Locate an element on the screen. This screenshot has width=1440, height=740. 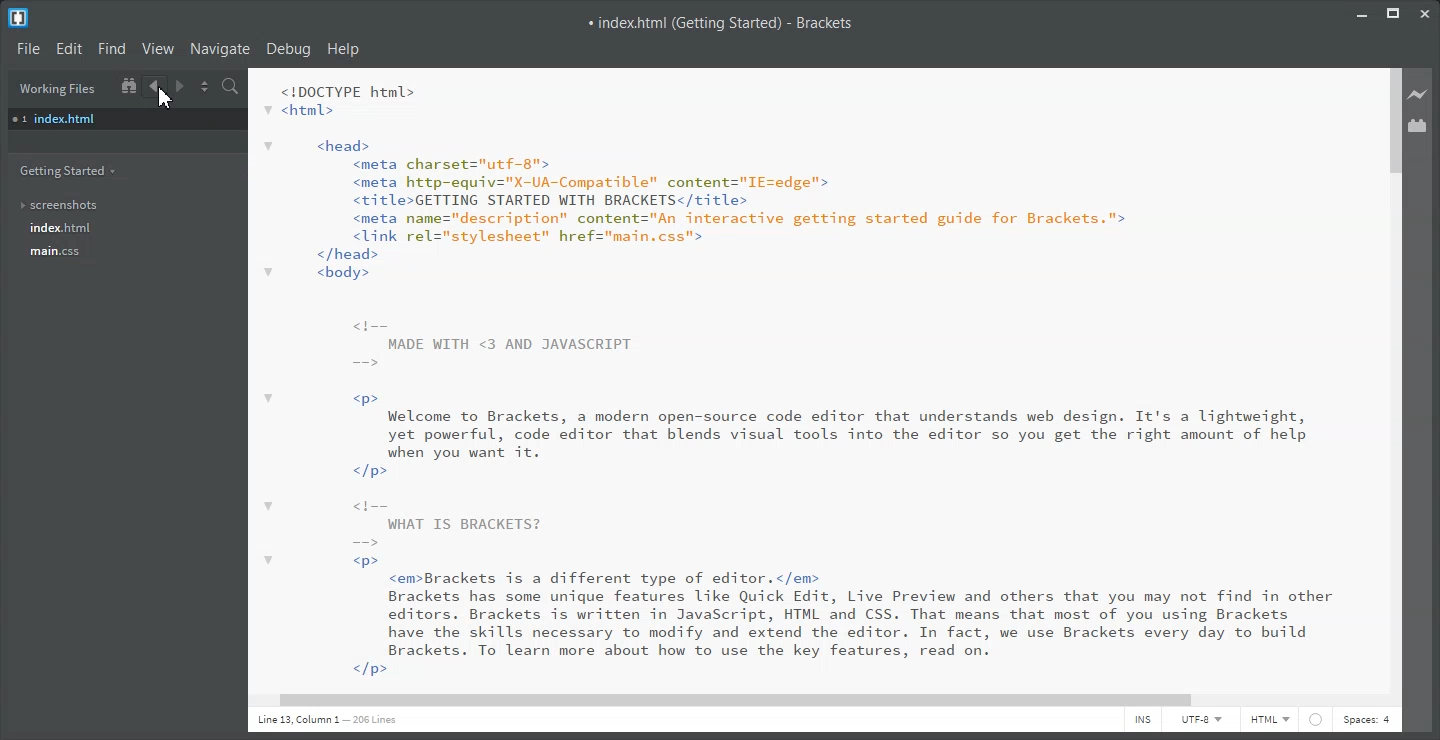
Navigate Backward is located at coordinates (156, 86).